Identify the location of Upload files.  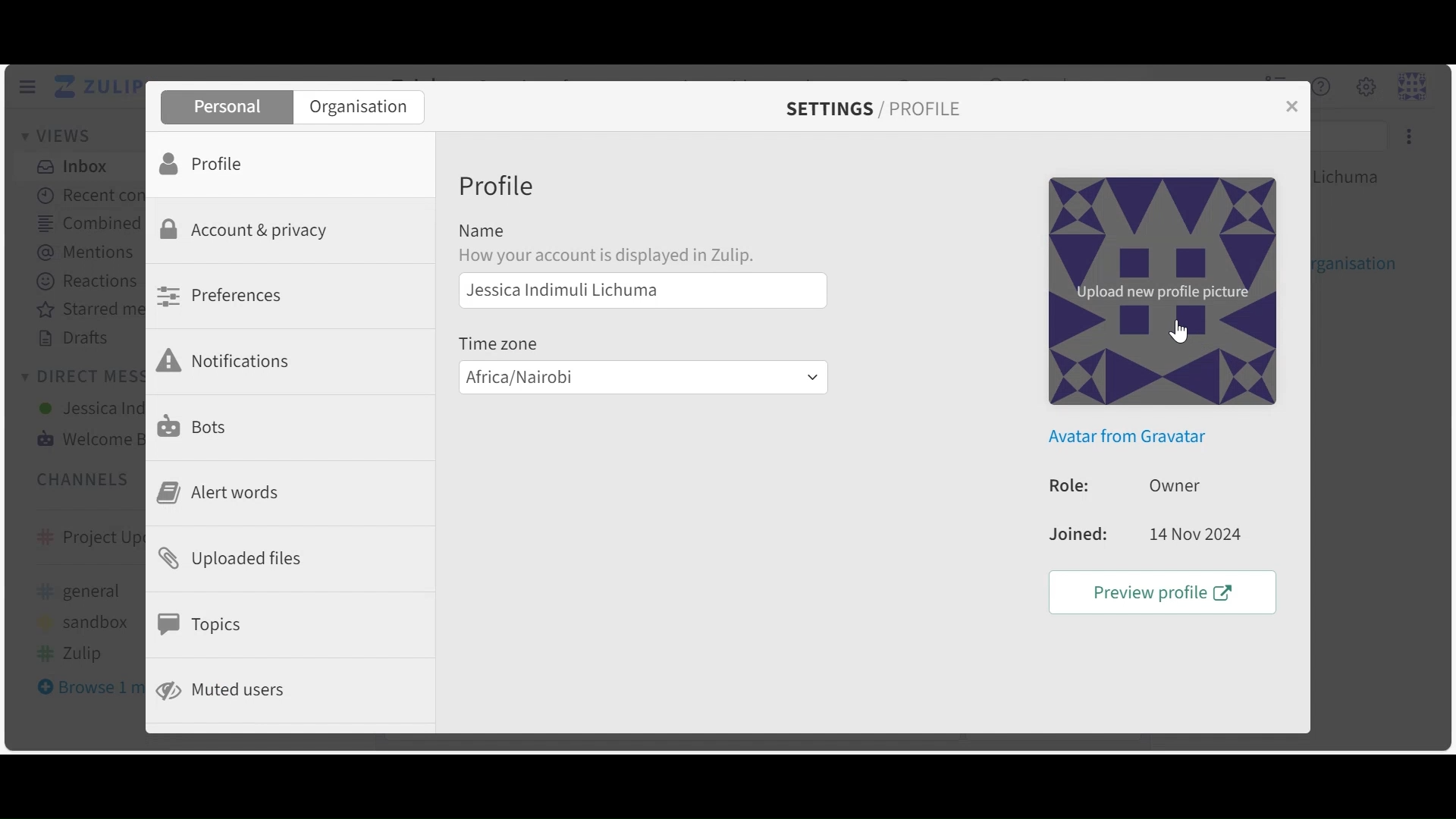
(228, 559).